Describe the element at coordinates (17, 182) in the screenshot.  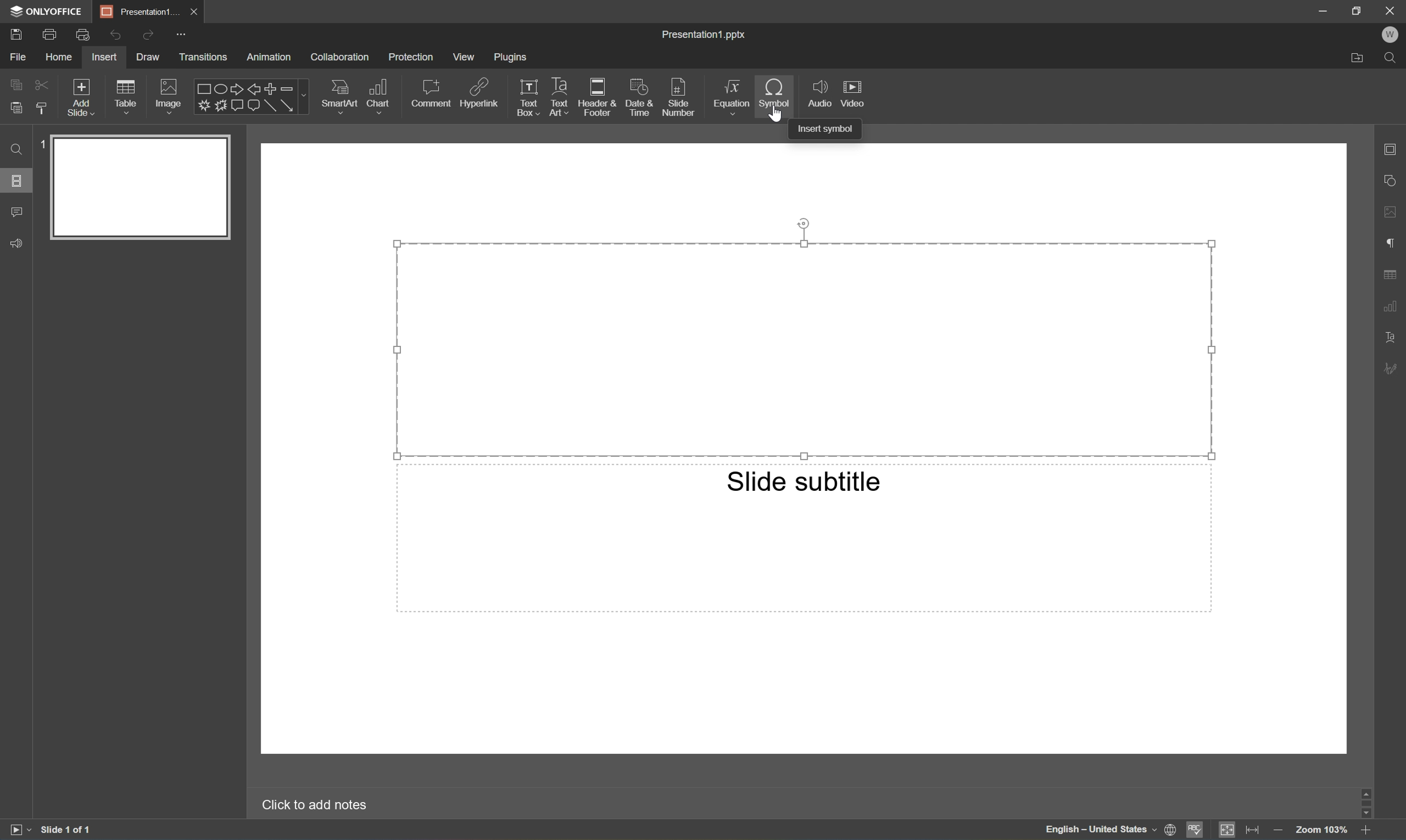
I see `Slides` at that location.